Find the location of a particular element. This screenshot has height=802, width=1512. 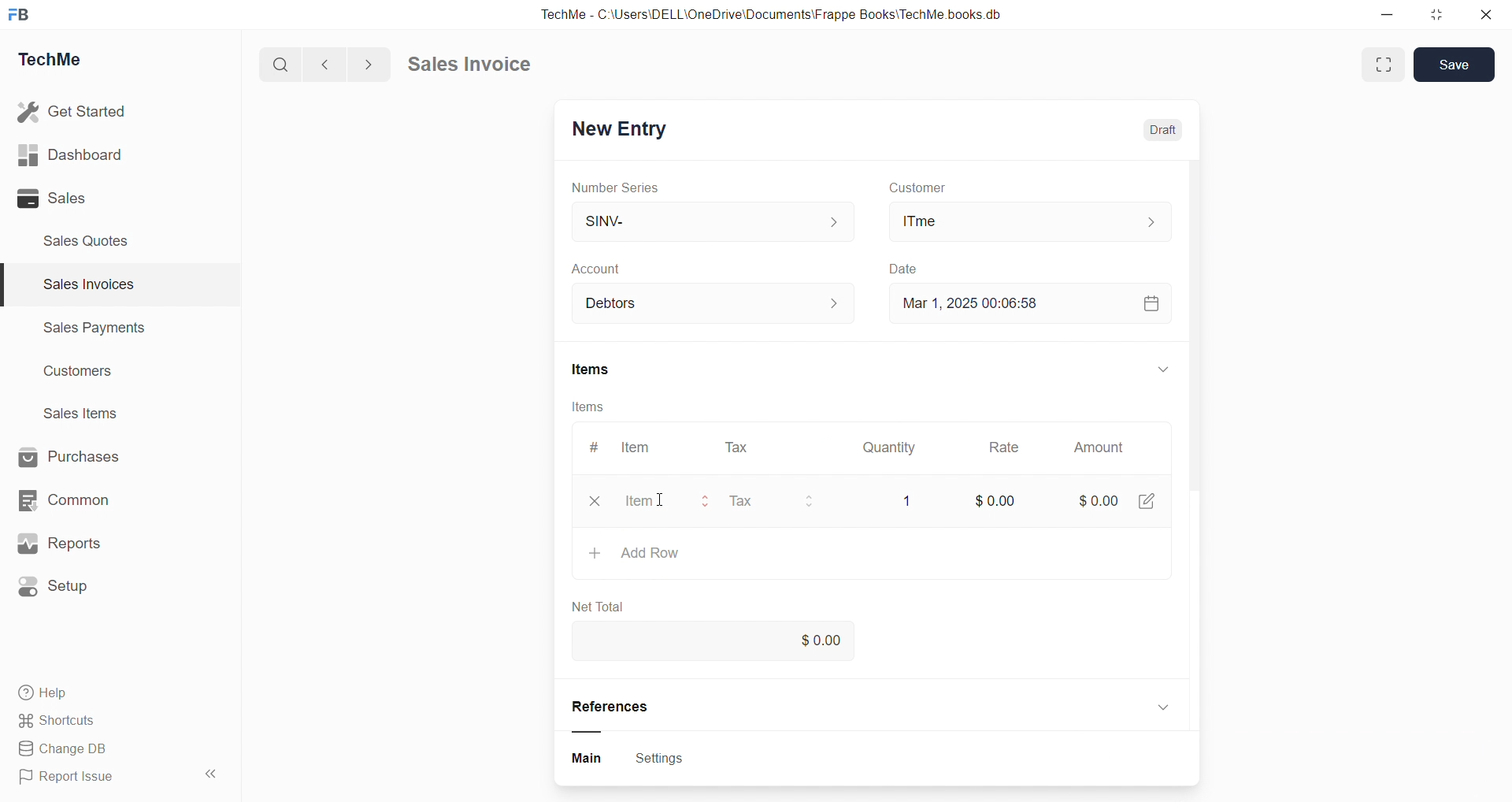

Calendar is located at coordinates (1150, 302).